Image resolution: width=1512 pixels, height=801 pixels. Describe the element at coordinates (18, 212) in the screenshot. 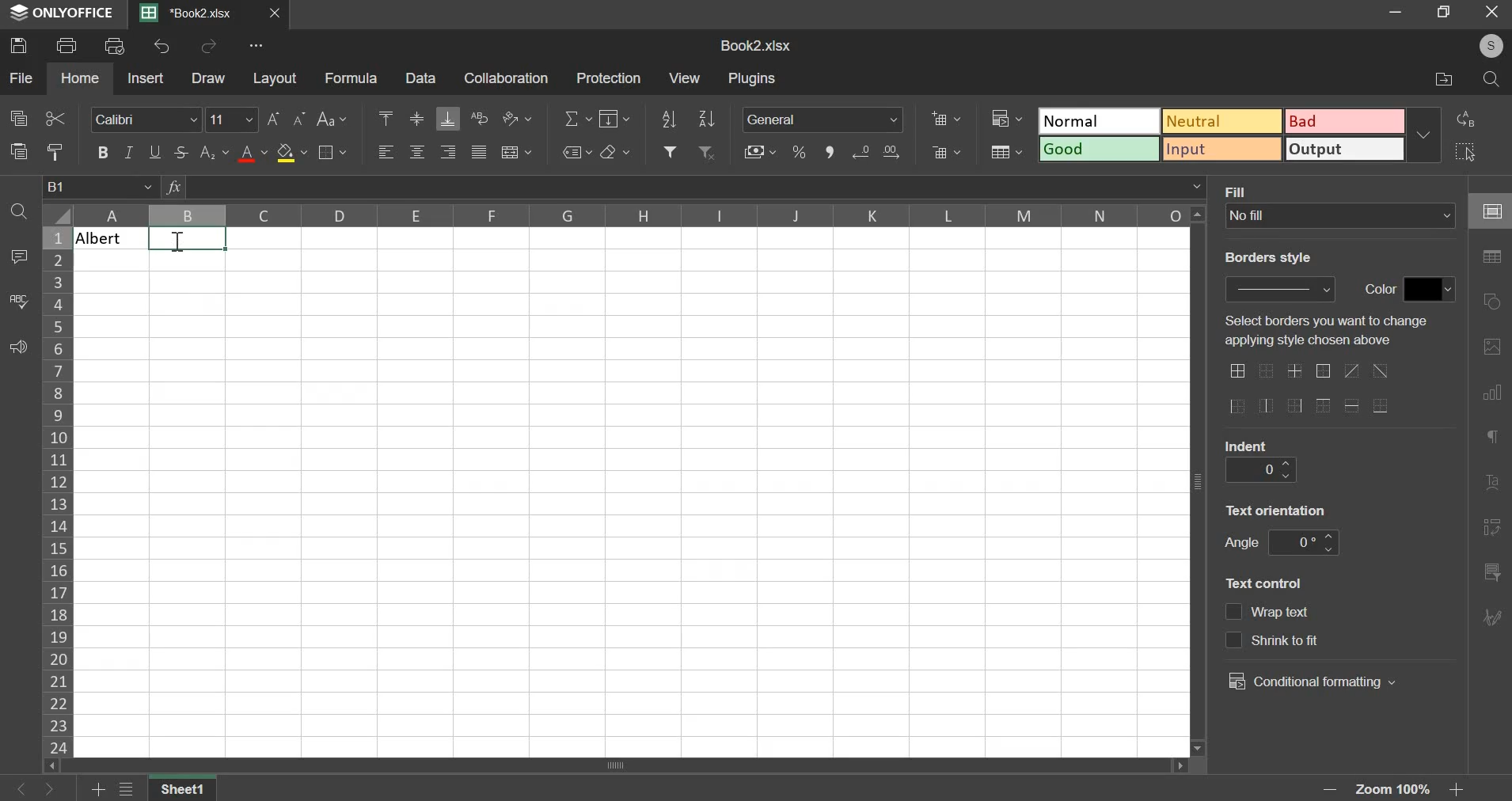

I see `find` at that location.